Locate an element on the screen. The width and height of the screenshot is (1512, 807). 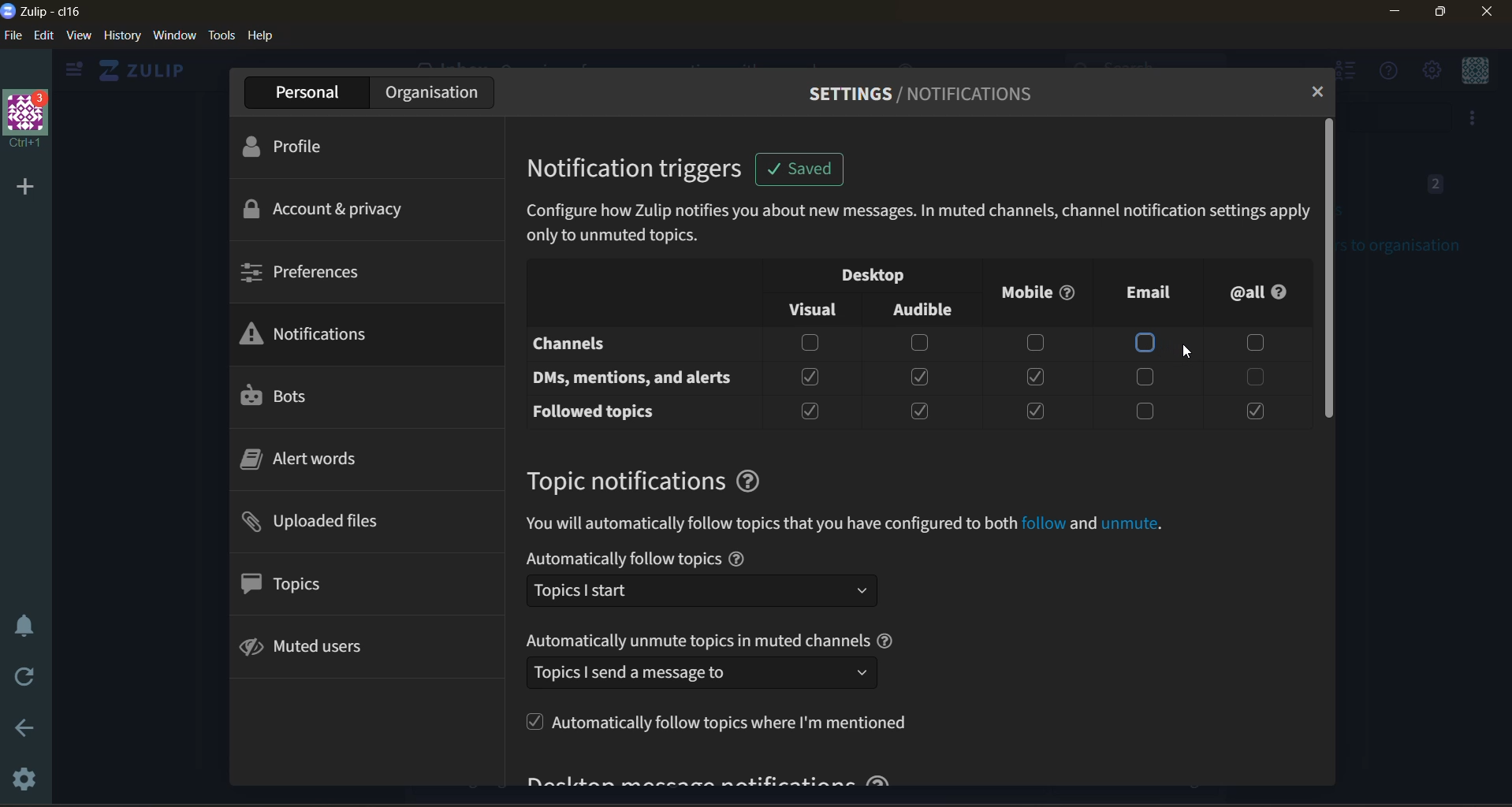
close is located at coordinates (1317, 94).